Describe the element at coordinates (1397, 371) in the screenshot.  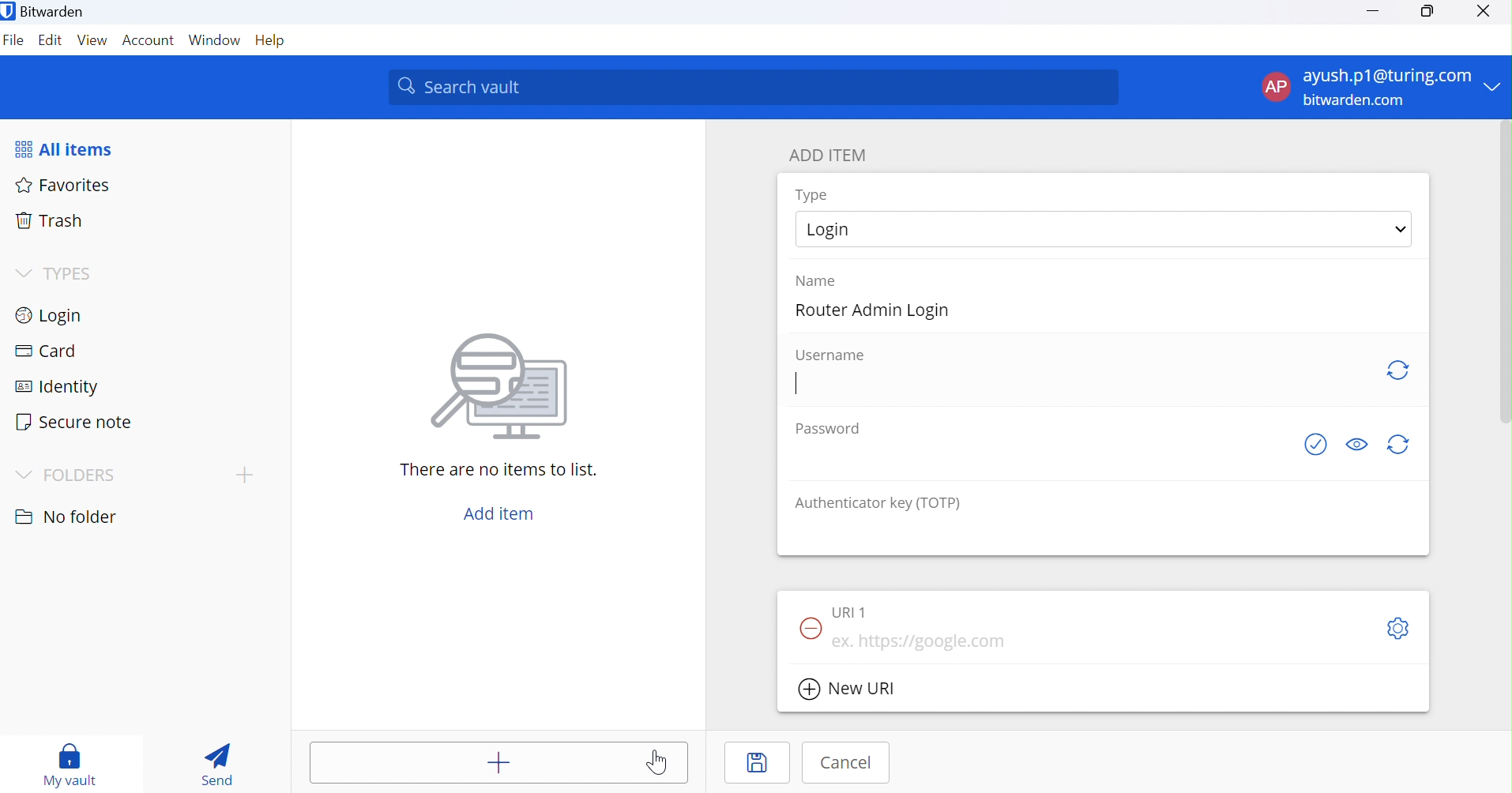
I see `Regenerate username` at that location.